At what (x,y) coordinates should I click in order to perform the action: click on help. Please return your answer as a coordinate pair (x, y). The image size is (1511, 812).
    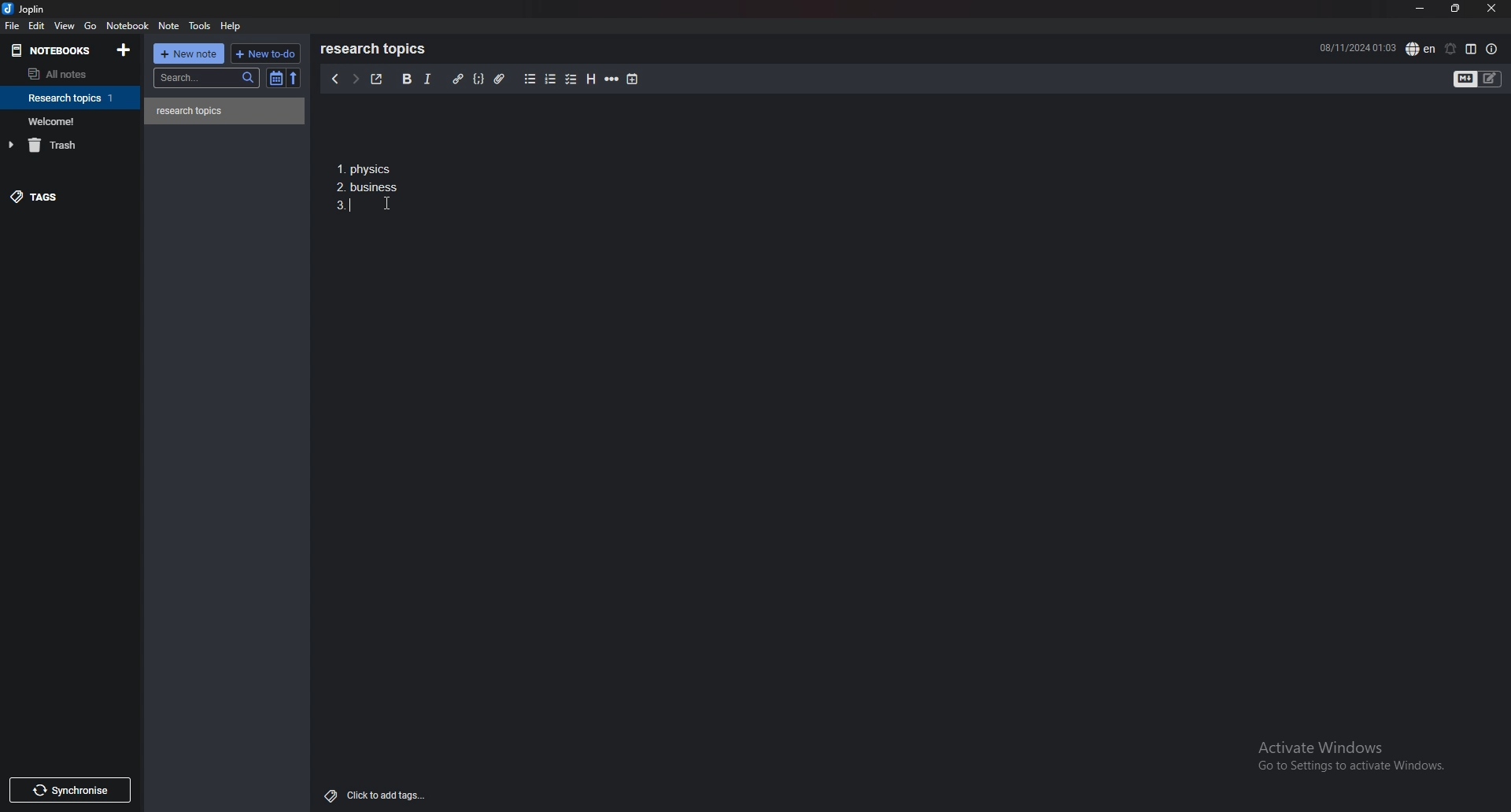
    Looking at the image, I should click on (233, 25).